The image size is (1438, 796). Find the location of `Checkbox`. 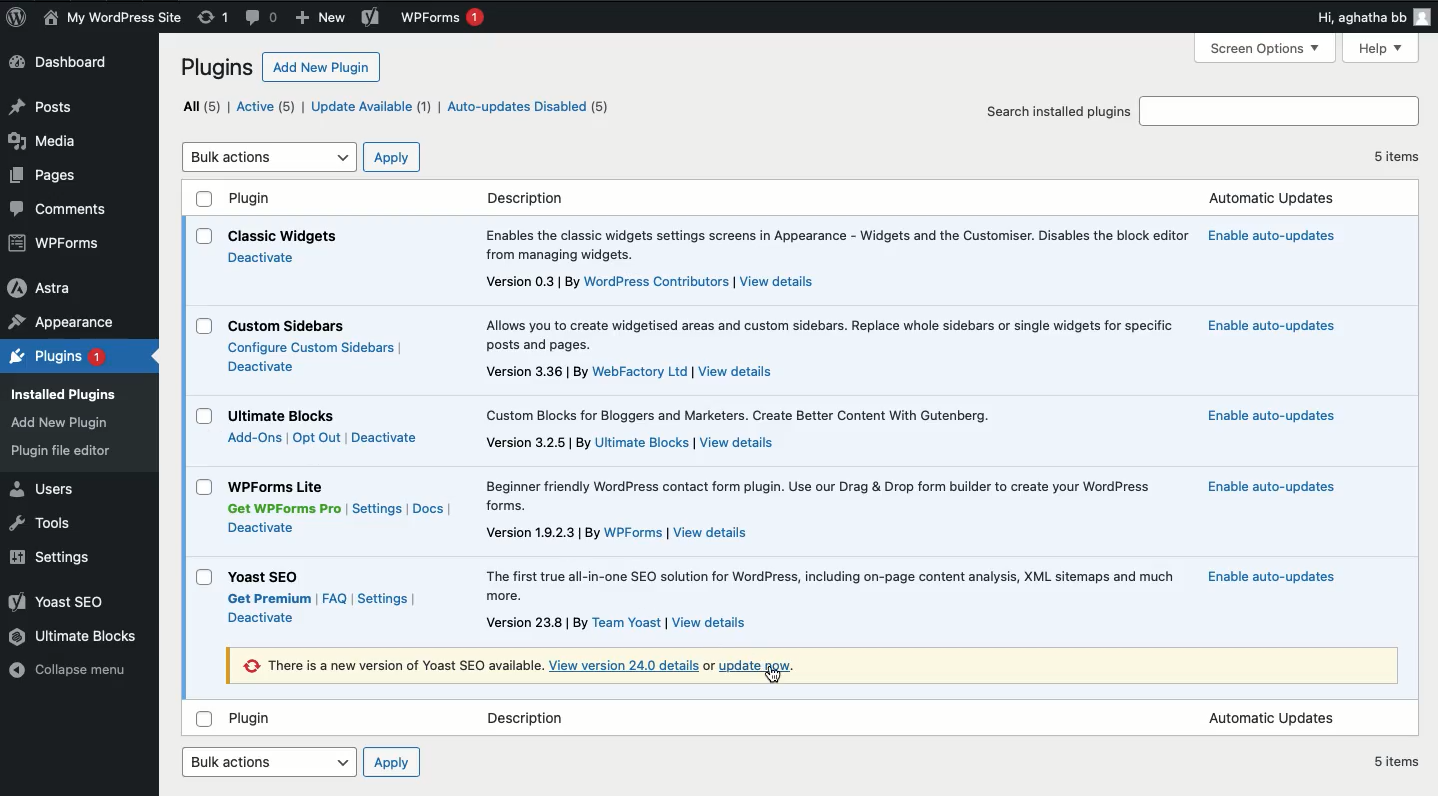

Checkbox is located at coordinates (205, 326).